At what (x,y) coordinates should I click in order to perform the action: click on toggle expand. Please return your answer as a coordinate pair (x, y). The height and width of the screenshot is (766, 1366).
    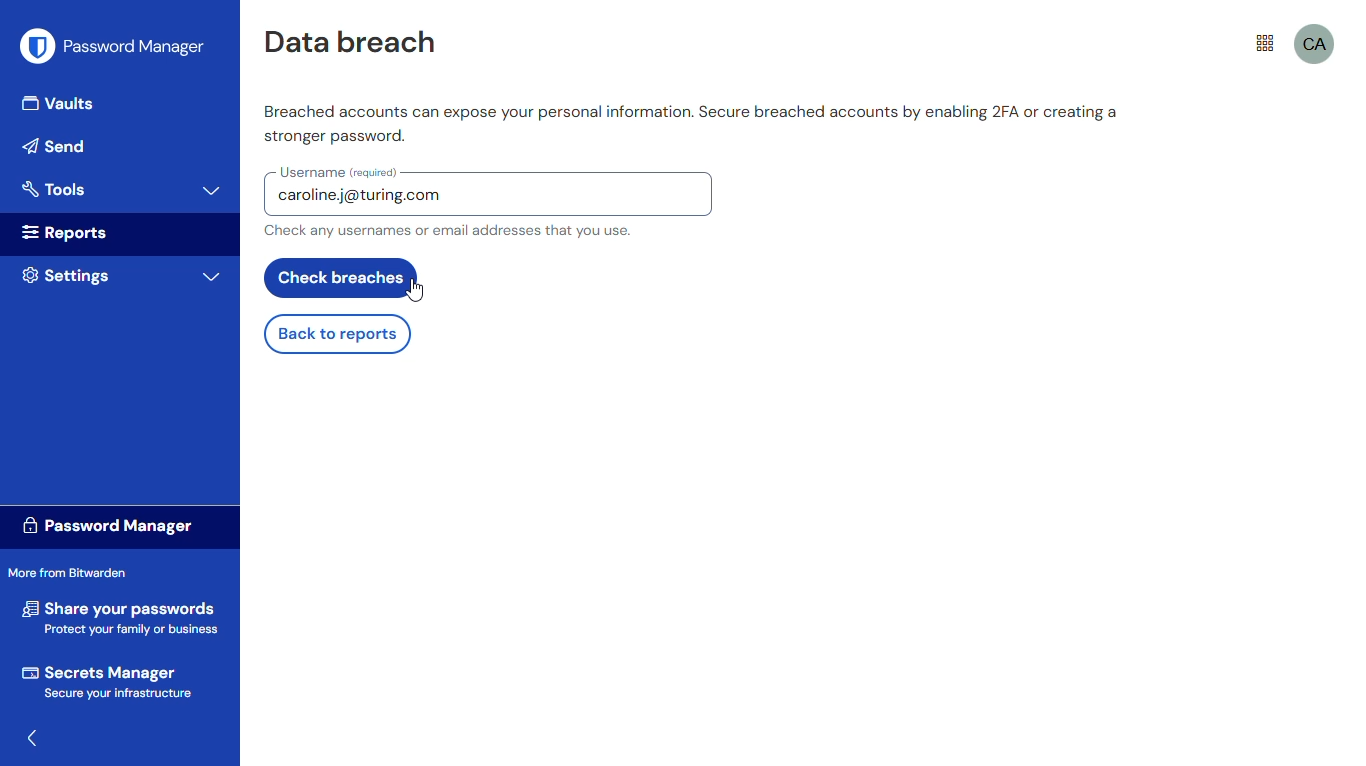
    Looking at the image, I should click on (212, 277).